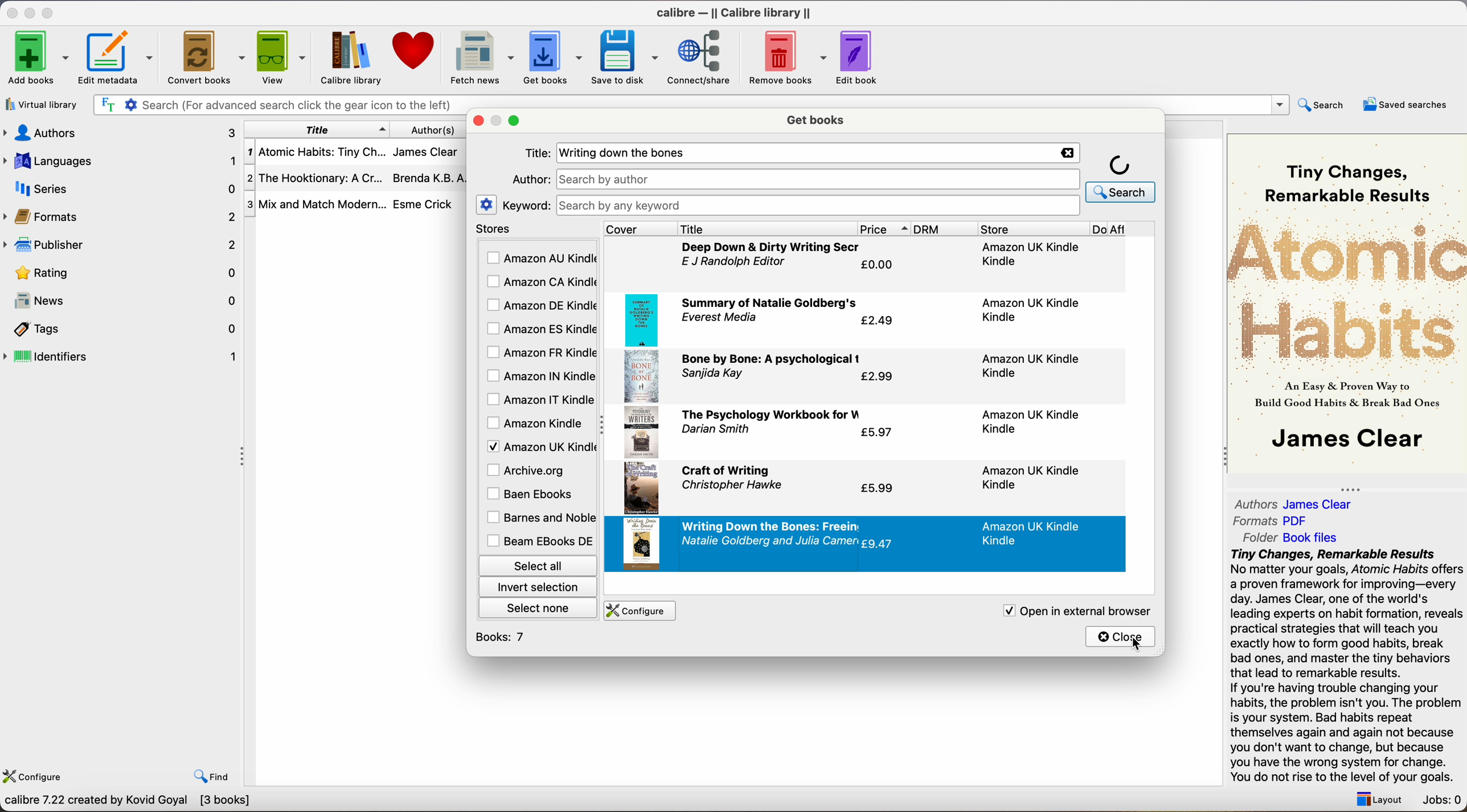  I want to click on fetch news, so click(480, 58).